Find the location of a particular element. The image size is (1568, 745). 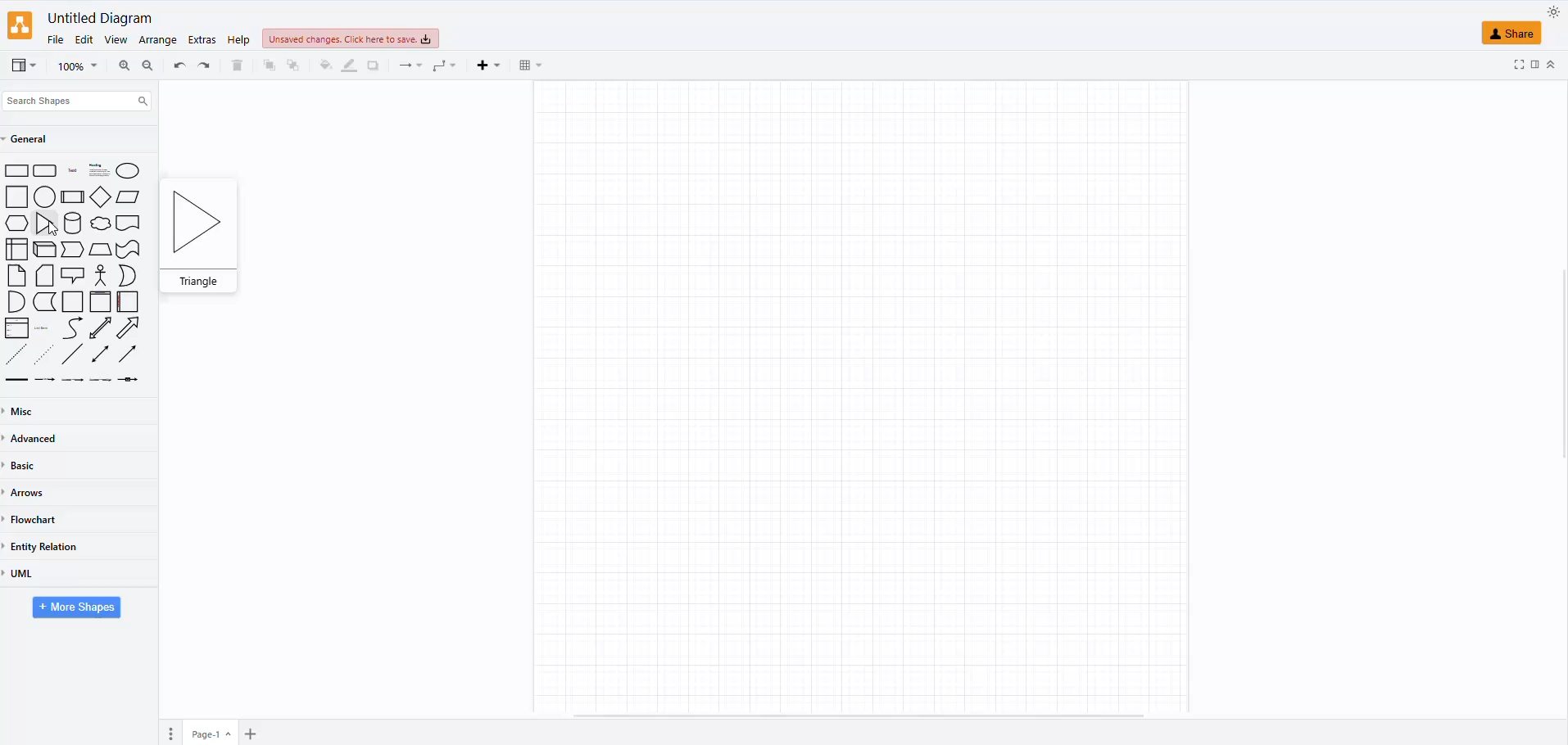

line color is located at coordinates (347, 64).